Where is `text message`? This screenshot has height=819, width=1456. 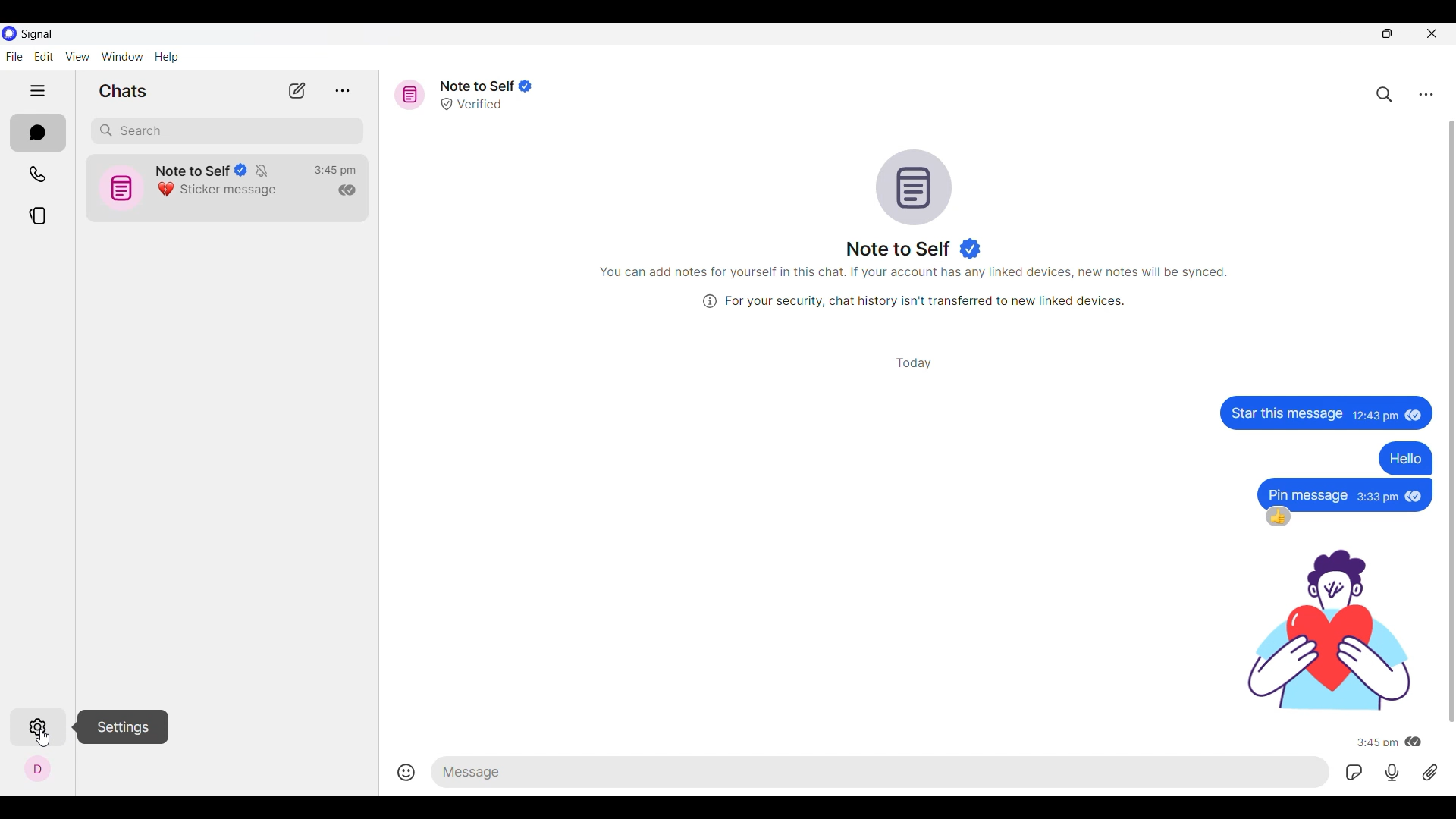
text message is located at coordinates (1307, 494).